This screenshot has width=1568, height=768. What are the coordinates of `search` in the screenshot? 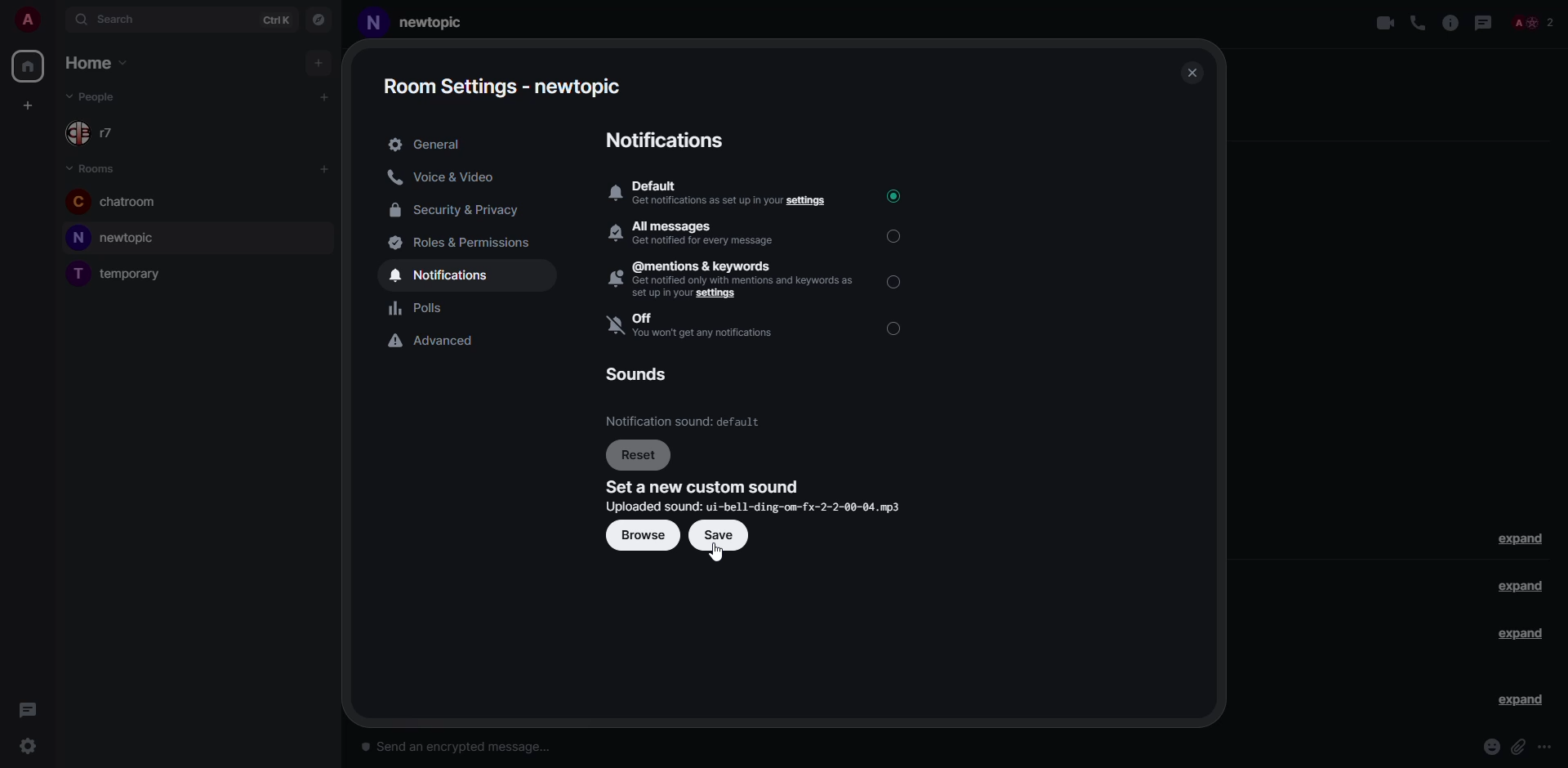 It's located at (113, 20).